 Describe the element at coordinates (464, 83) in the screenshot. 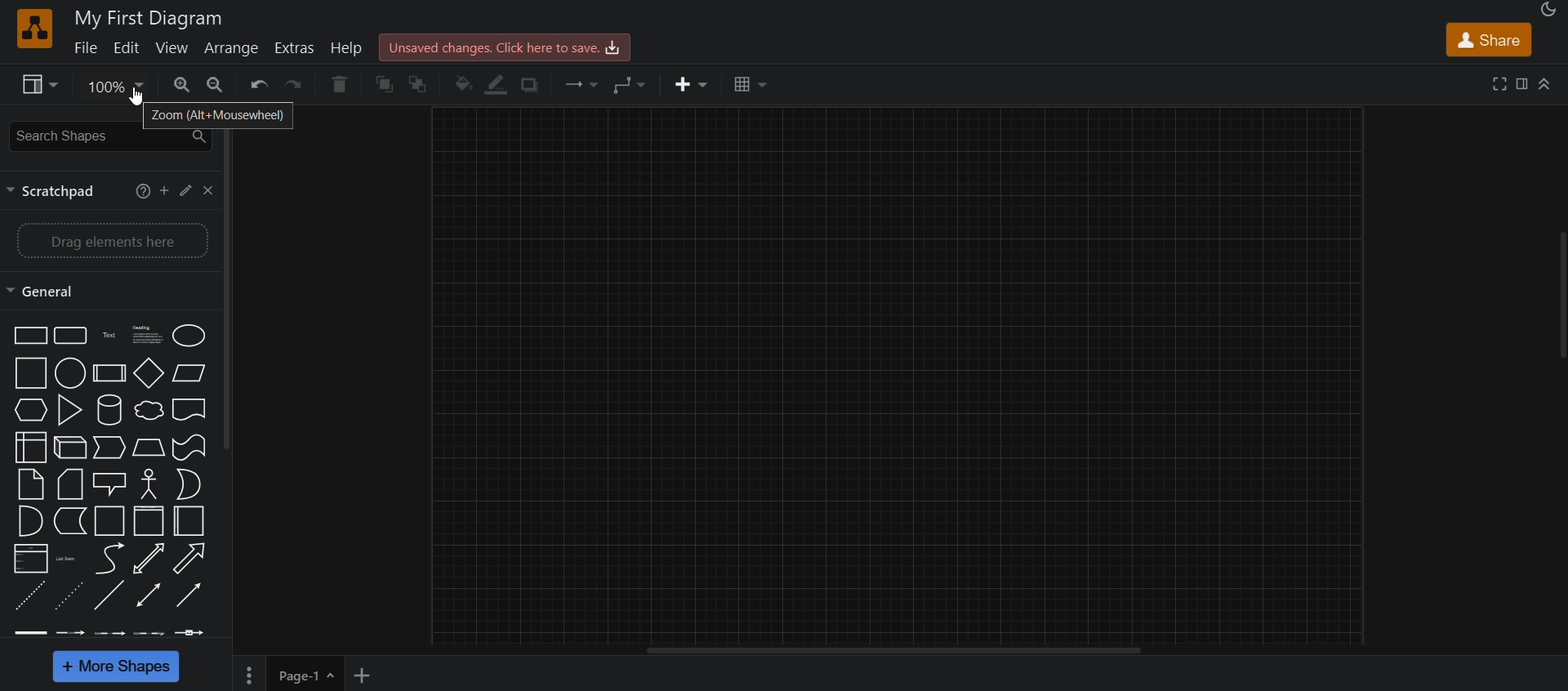

I see `fill color` at that location.